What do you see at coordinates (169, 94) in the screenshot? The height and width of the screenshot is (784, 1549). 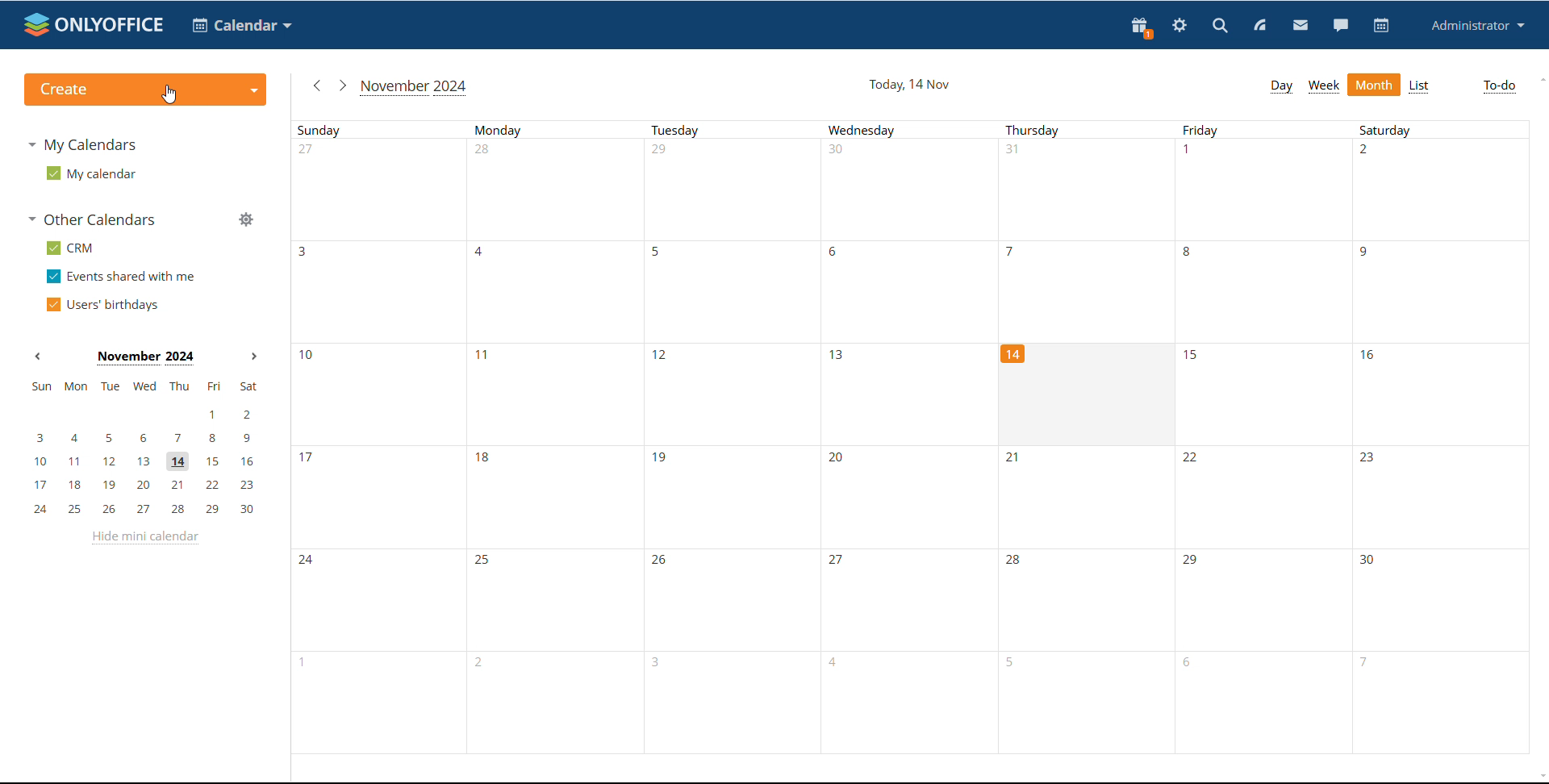 I see `cursor` at bounding box center [169, 94].